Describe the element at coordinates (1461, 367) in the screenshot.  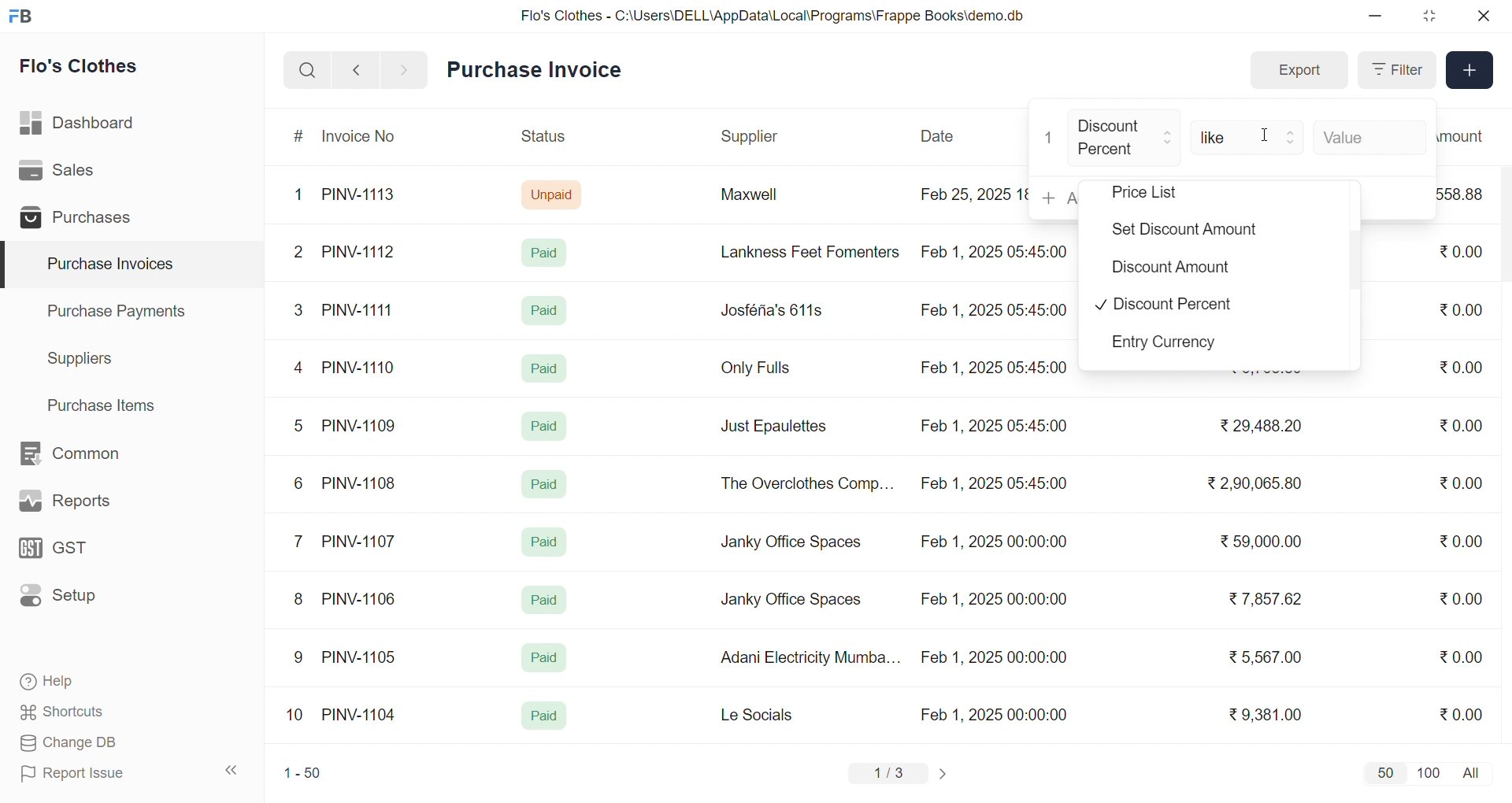
I see `₹0.00` at that location.